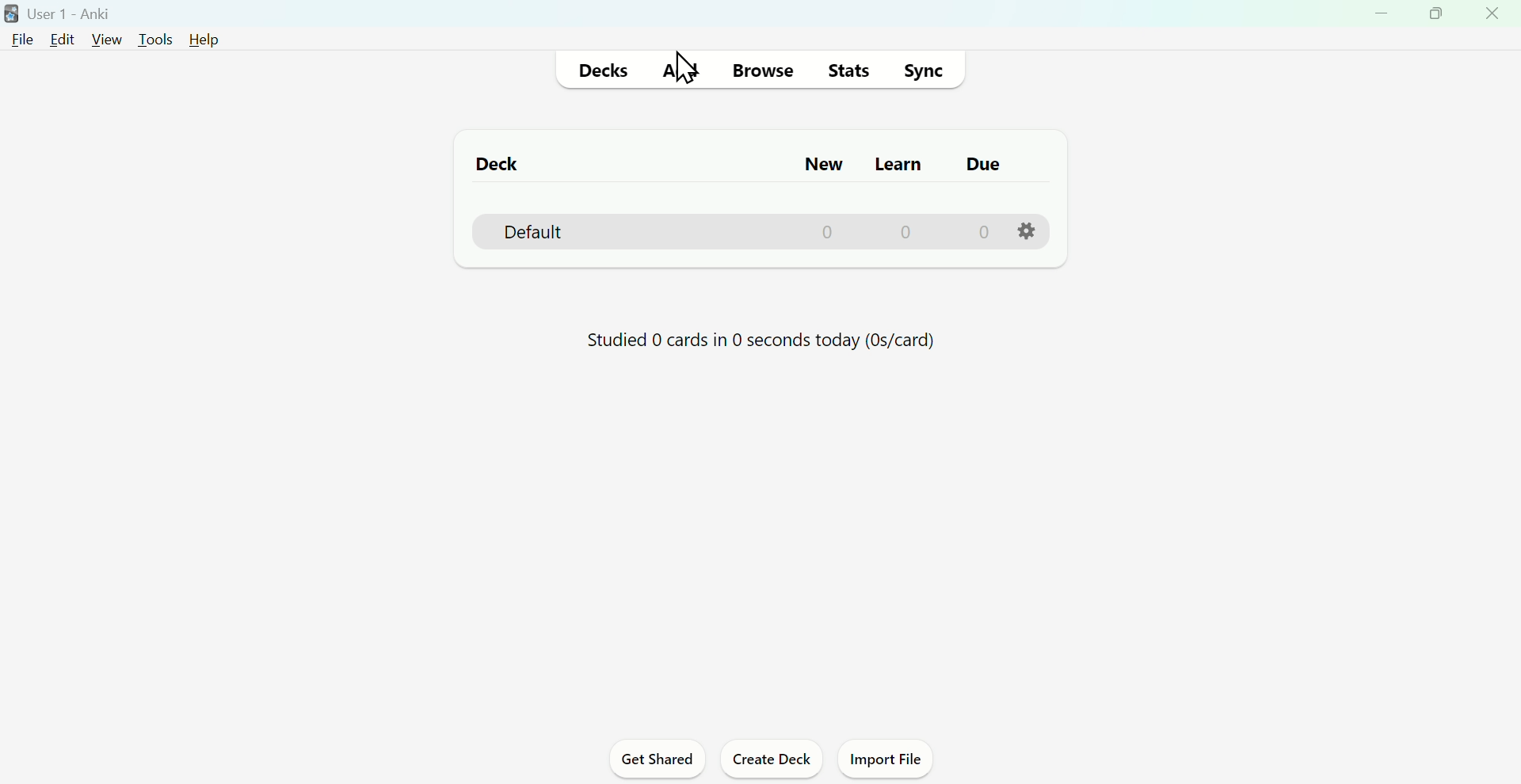 The width and height of the screenshot is (1521, 784). What do you see at coordinates (1492, 17) in the screenshot?
I see `Close` at bounding box center [1492, 17].